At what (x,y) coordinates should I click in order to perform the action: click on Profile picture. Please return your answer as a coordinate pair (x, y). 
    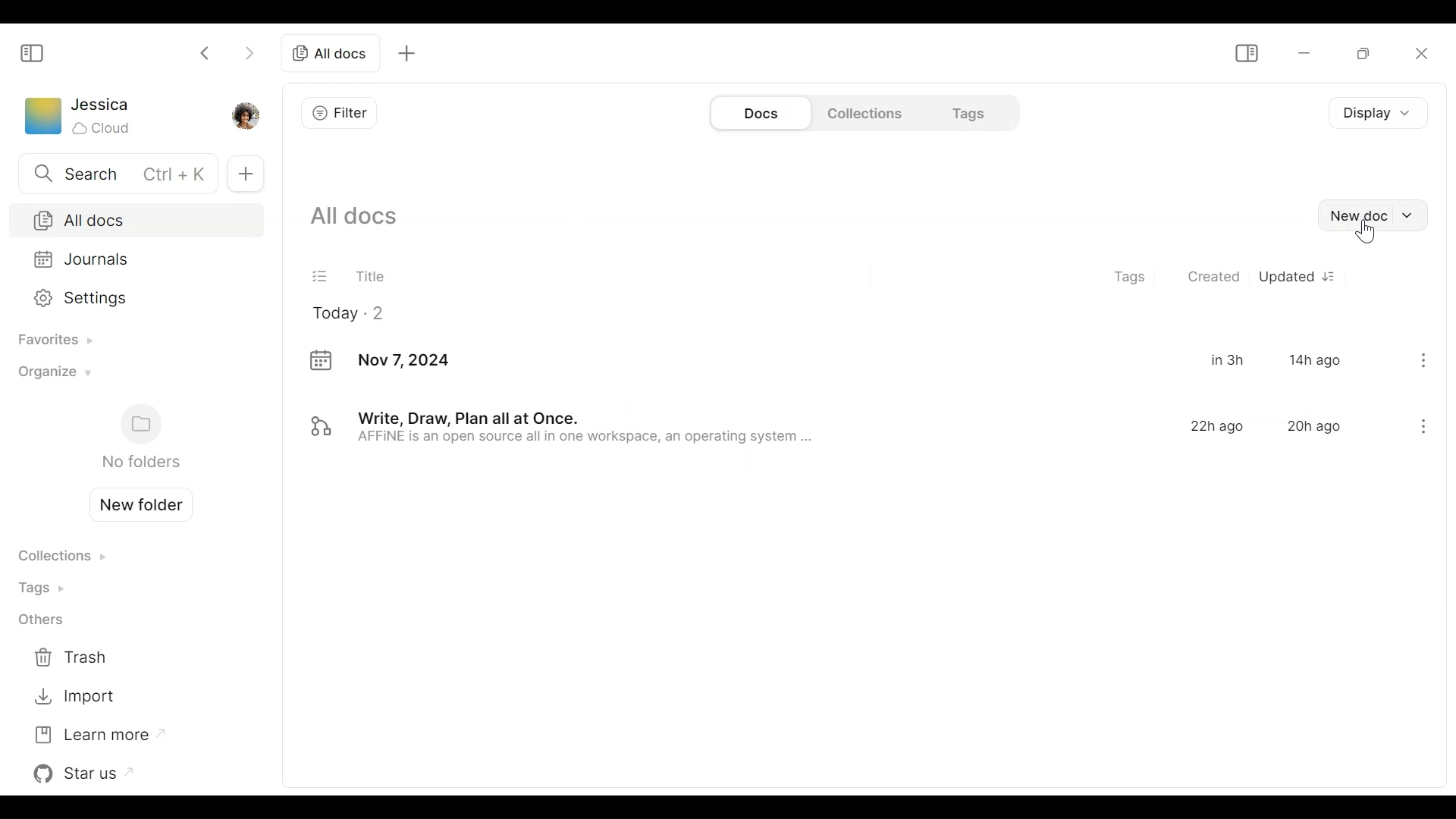
    Looking at the image, I should click on (243, 115).